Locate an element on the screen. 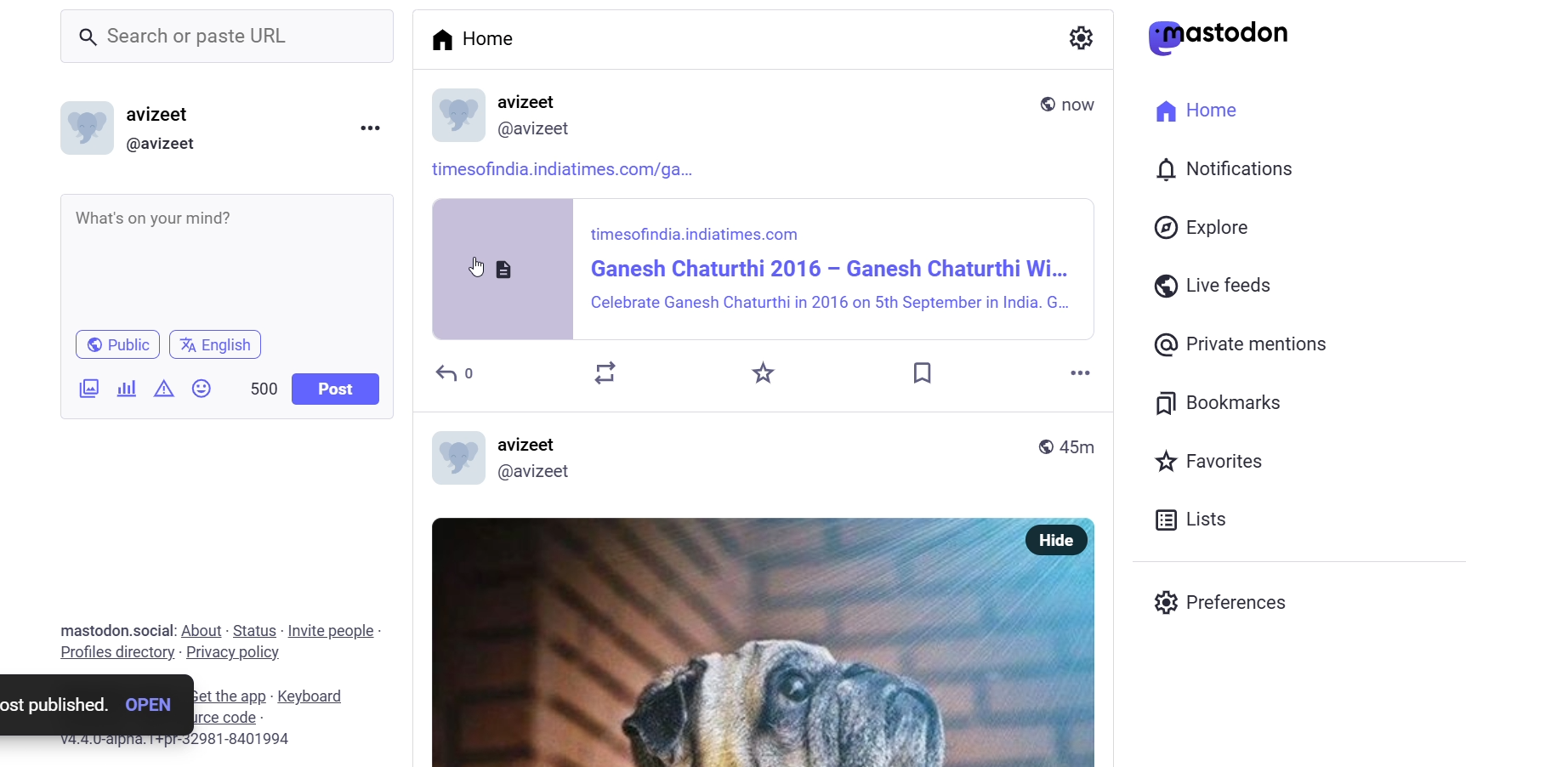 This screenshot has height=767, width=1568. article link is located at coordinates (231, 241).